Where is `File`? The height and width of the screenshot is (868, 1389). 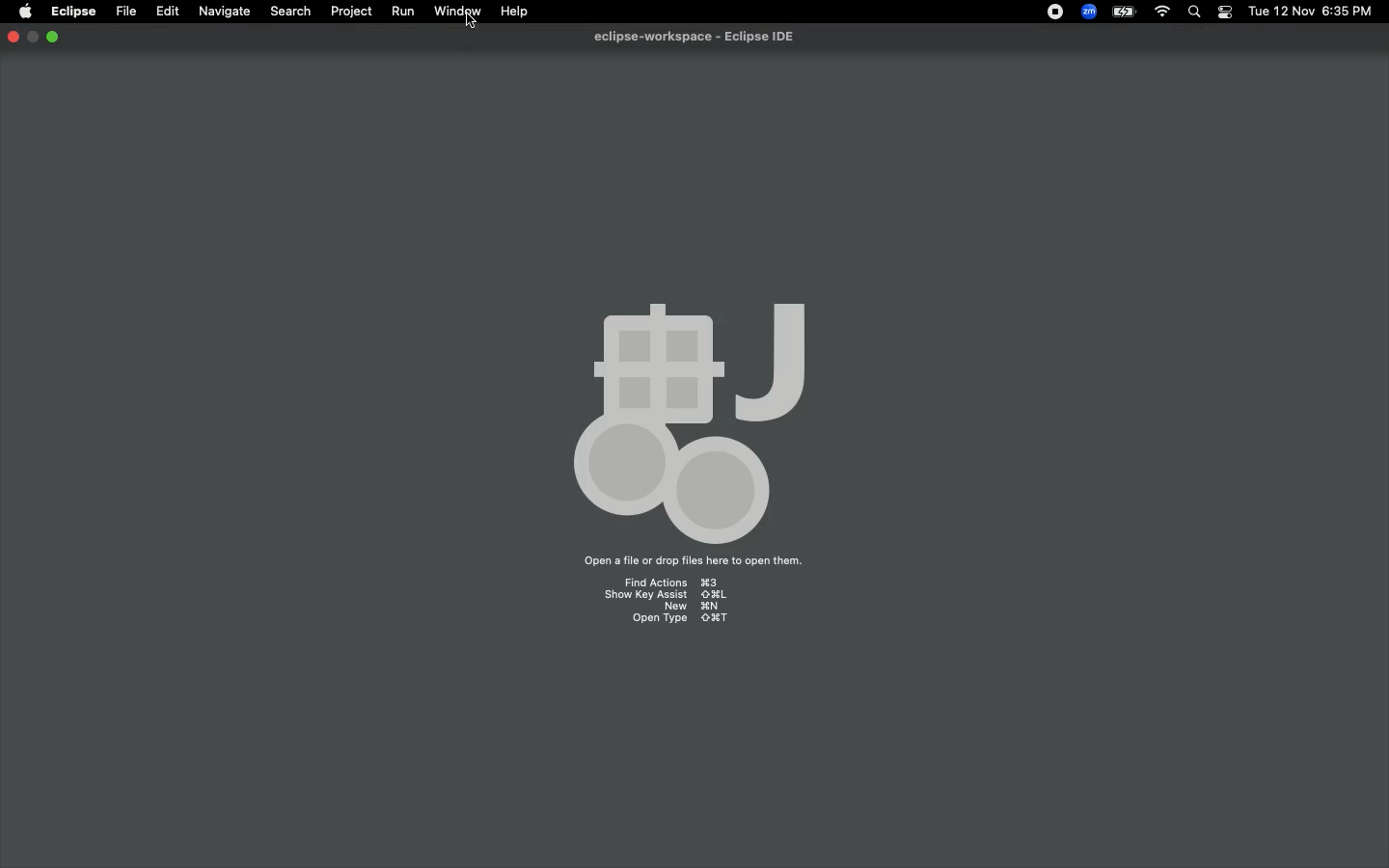 File is located at coordinates (124, 12).